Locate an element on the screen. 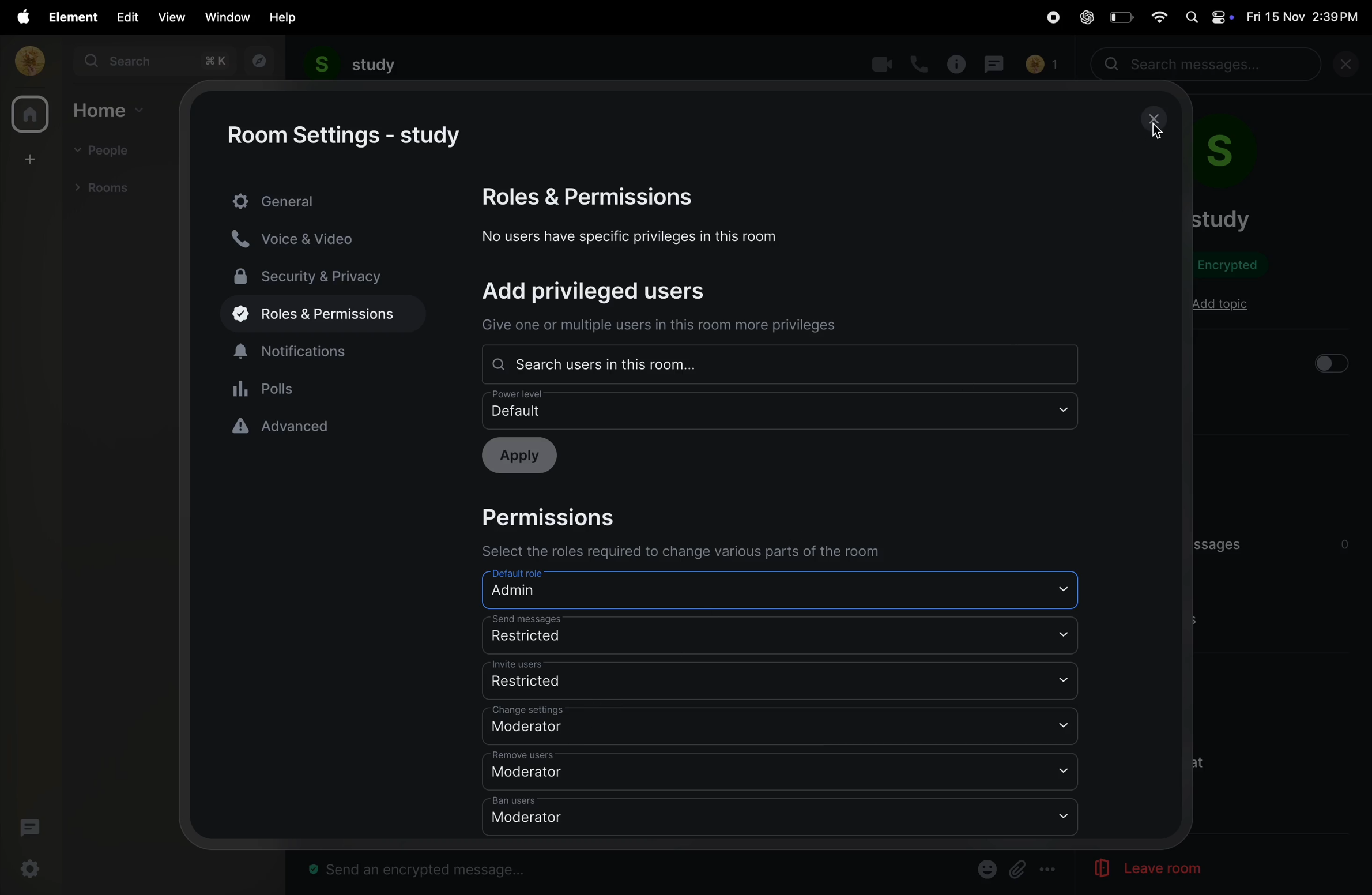 The height and width of the screenshot is (895, 1372). Default is located at coordinates (785, 408).